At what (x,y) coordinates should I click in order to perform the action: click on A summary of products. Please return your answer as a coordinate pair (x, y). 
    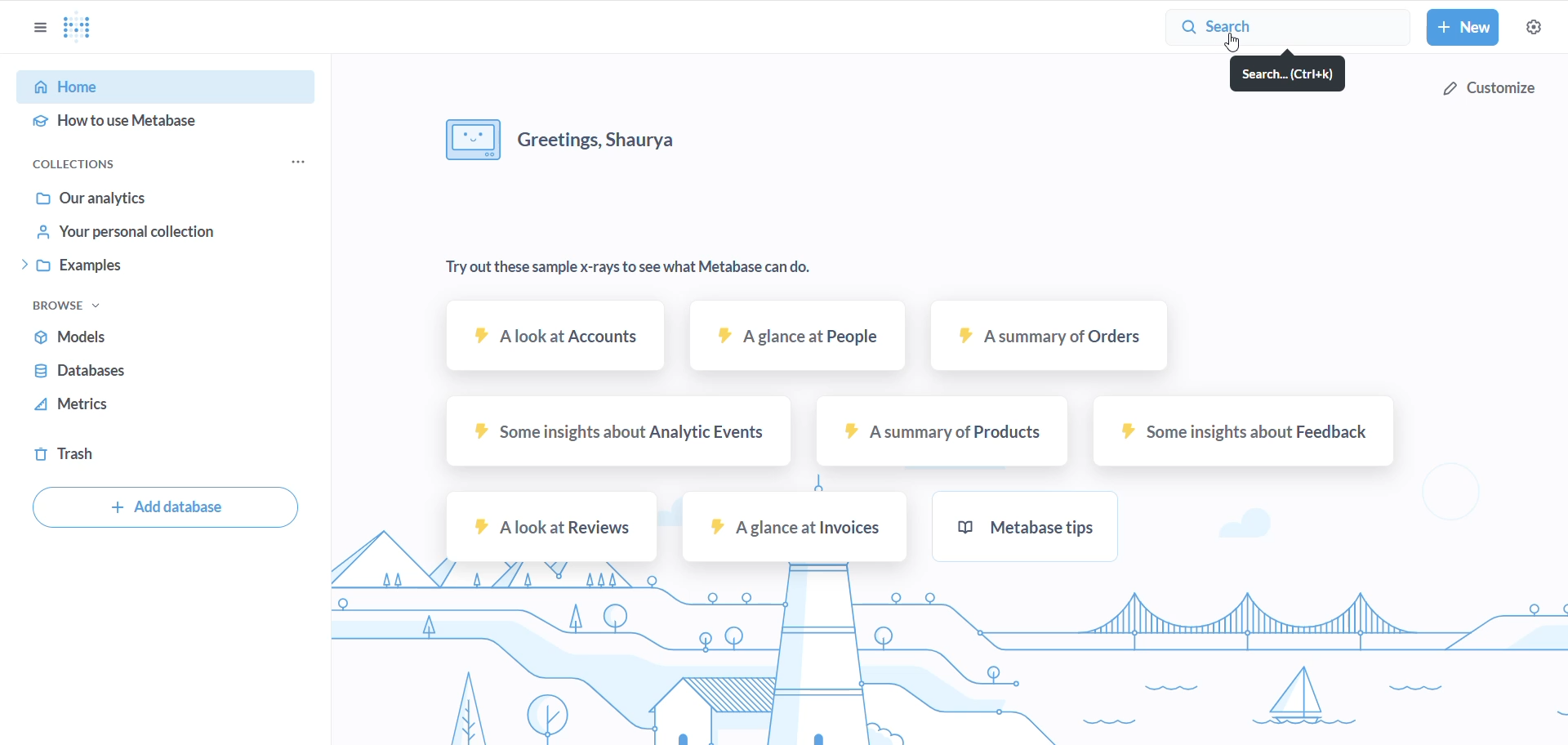
    Looking at the image, I should click on (944, 433).